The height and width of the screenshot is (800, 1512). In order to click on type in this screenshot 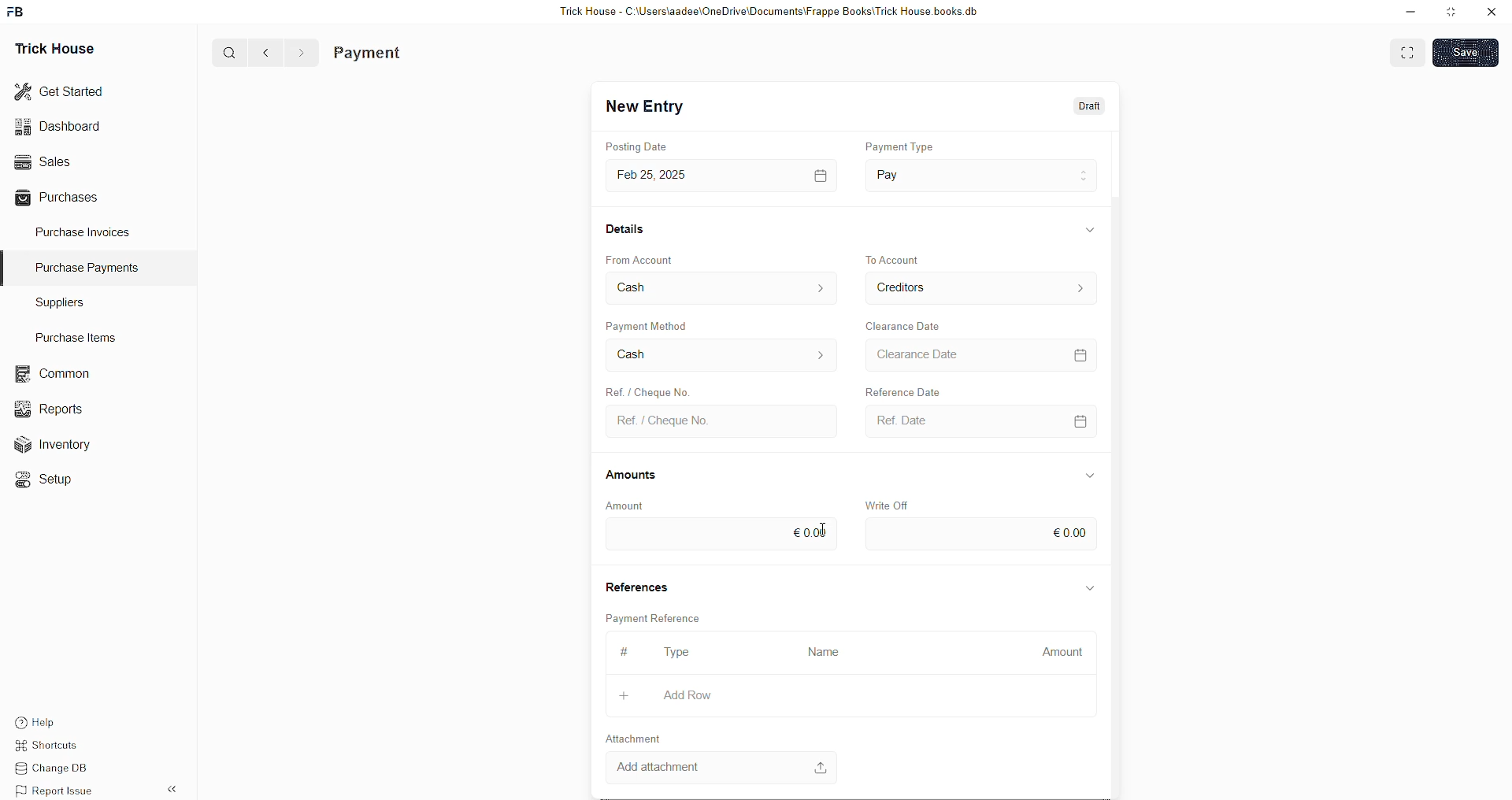, I will do `click(670, 652)`.